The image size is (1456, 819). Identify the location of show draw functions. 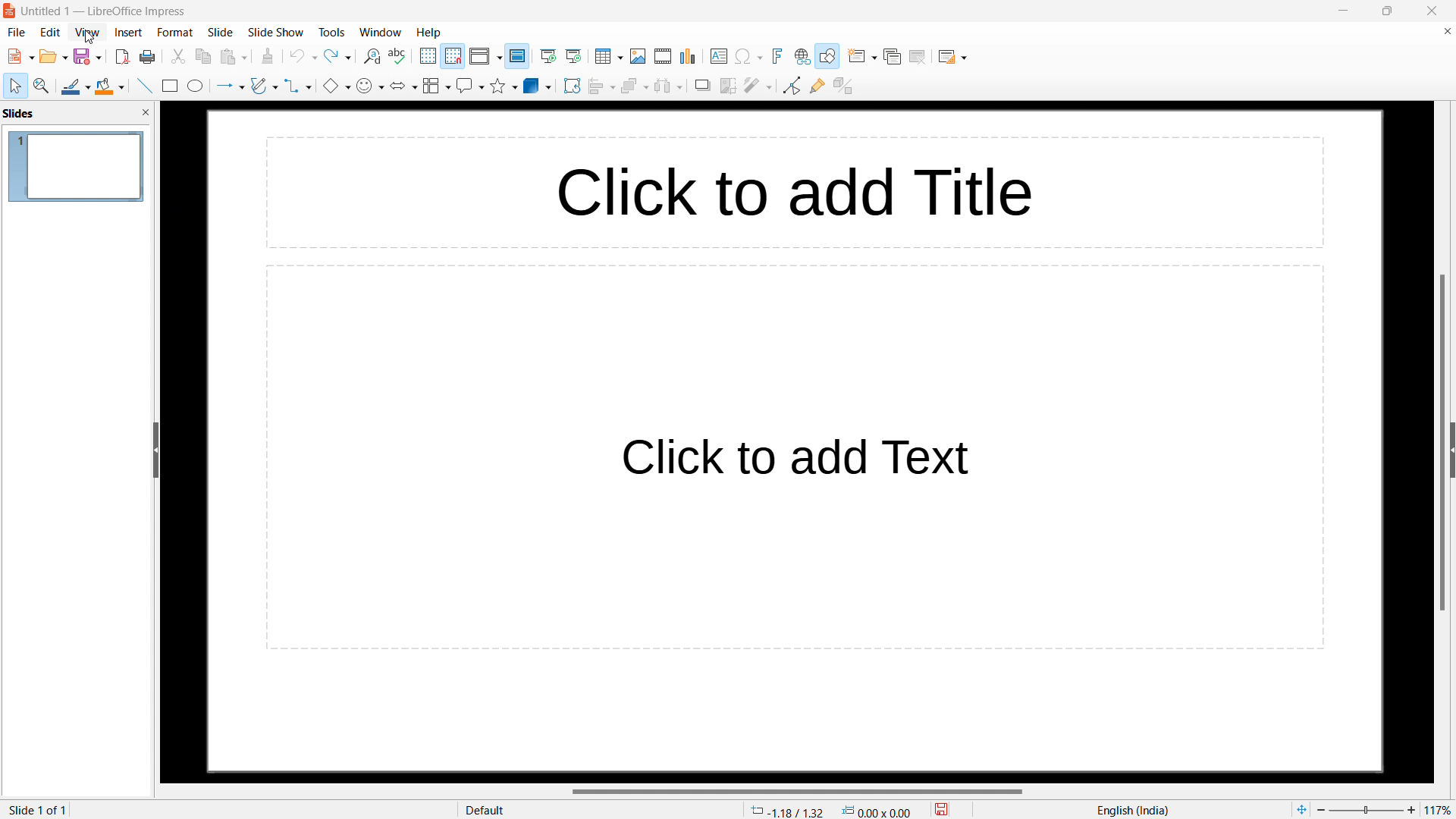
(828, 56).